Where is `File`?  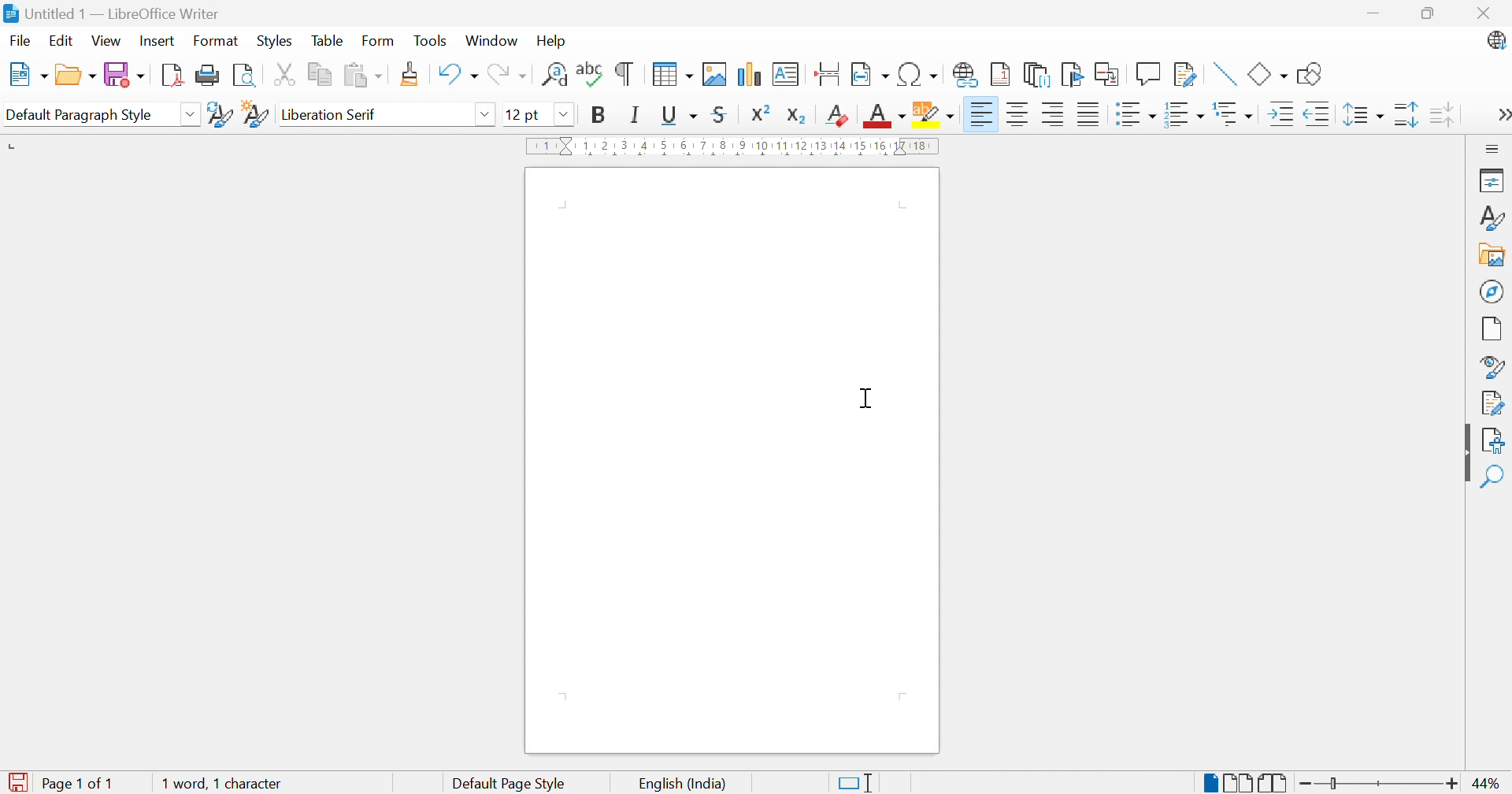
File is located at coordinates (23, 42).